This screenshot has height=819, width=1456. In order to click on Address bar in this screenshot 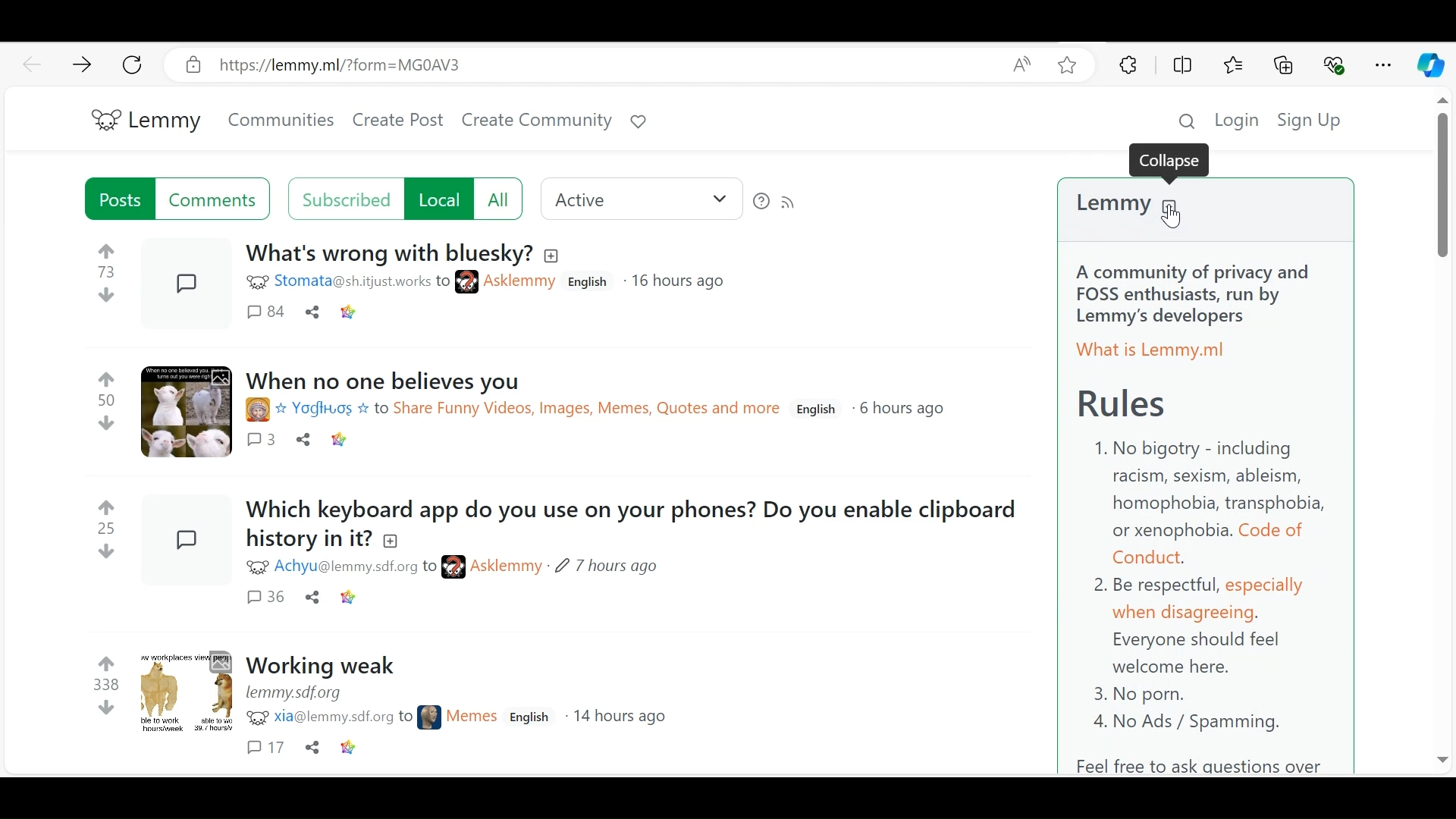, I will do `click(583, 65)`.